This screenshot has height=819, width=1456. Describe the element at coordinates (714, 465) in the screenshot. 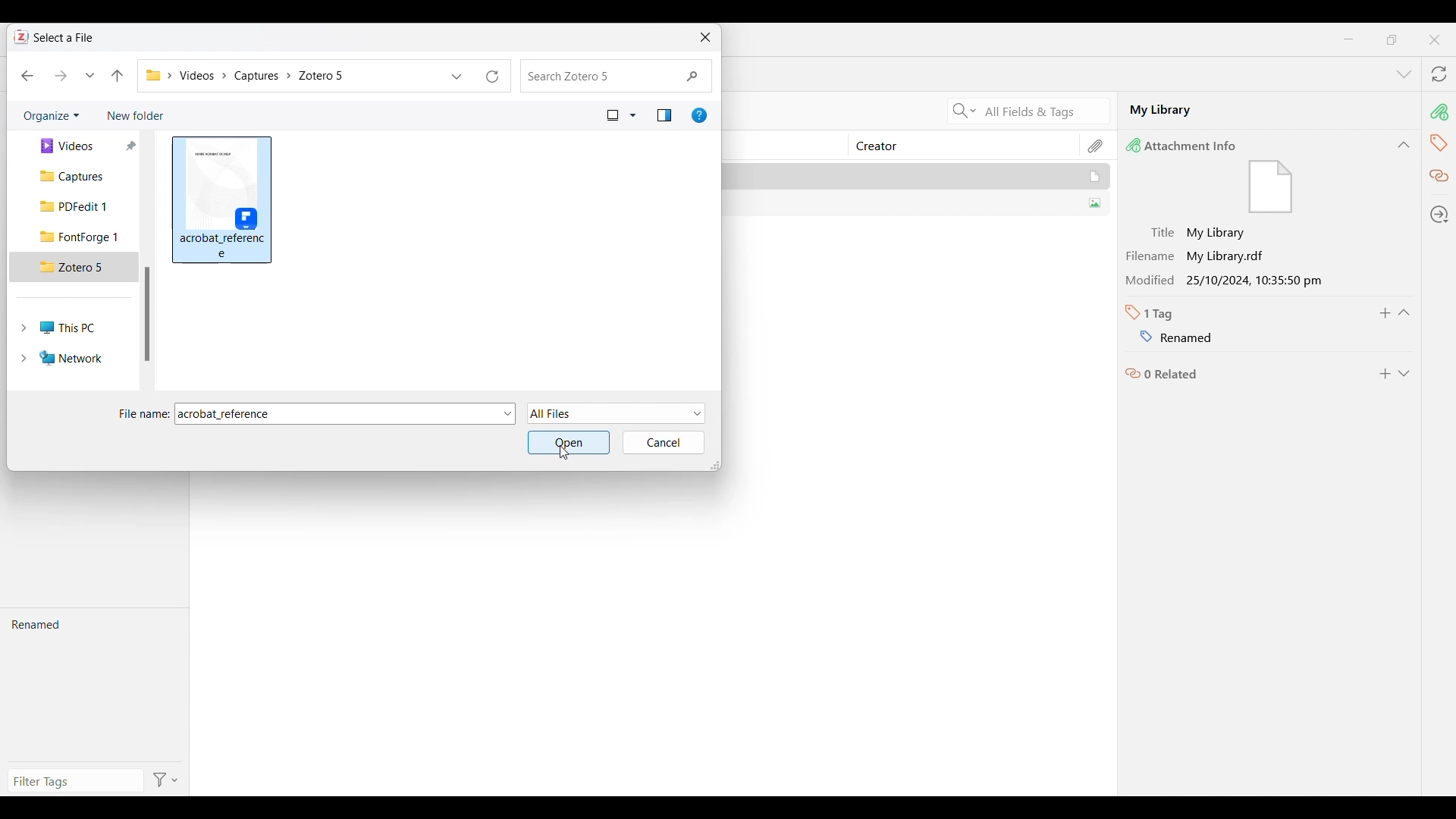

I see `Change dimension of window` at that location.